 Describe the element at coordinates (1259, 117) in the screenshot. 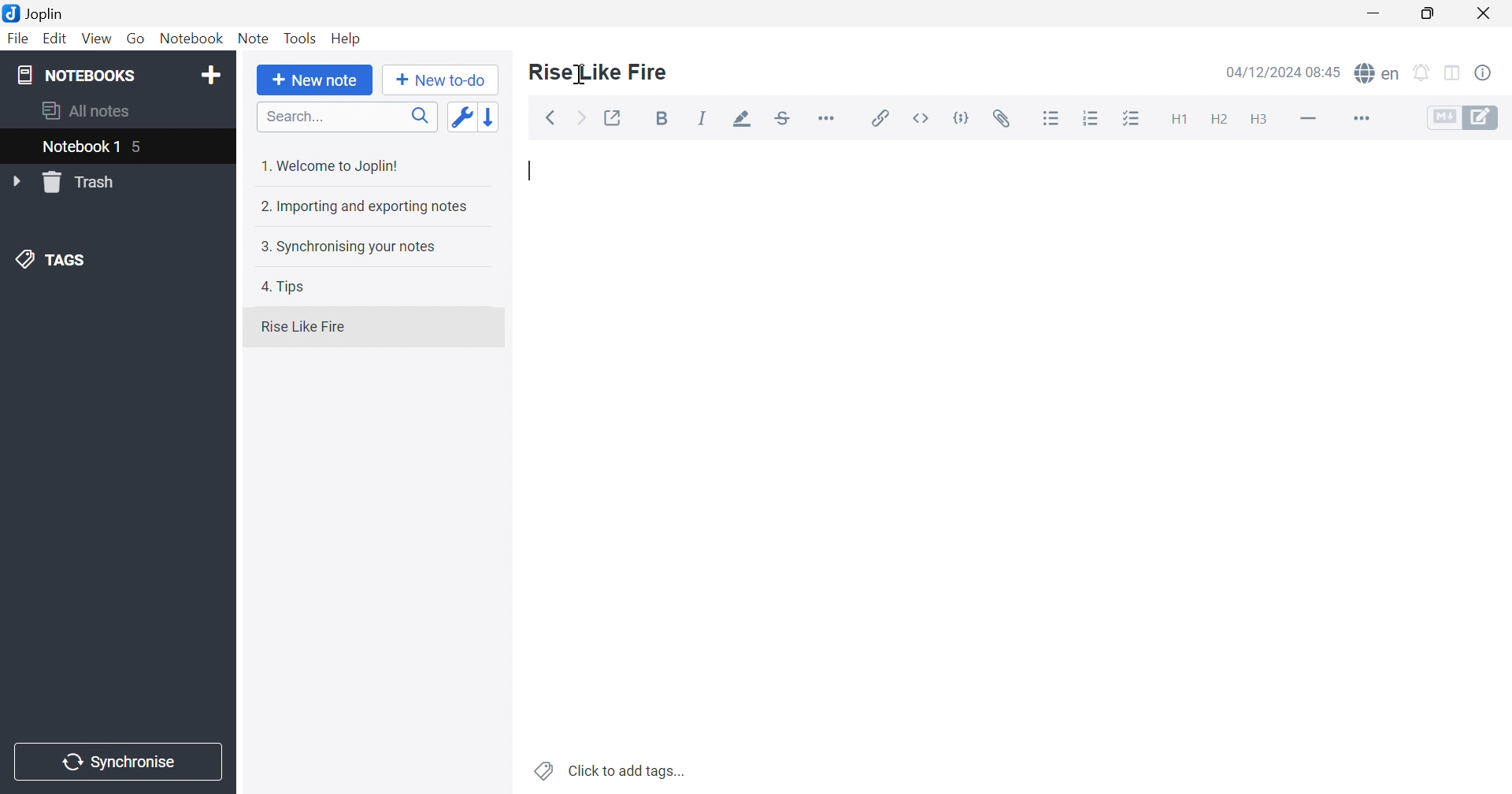

I see `Heading 3` at that location.